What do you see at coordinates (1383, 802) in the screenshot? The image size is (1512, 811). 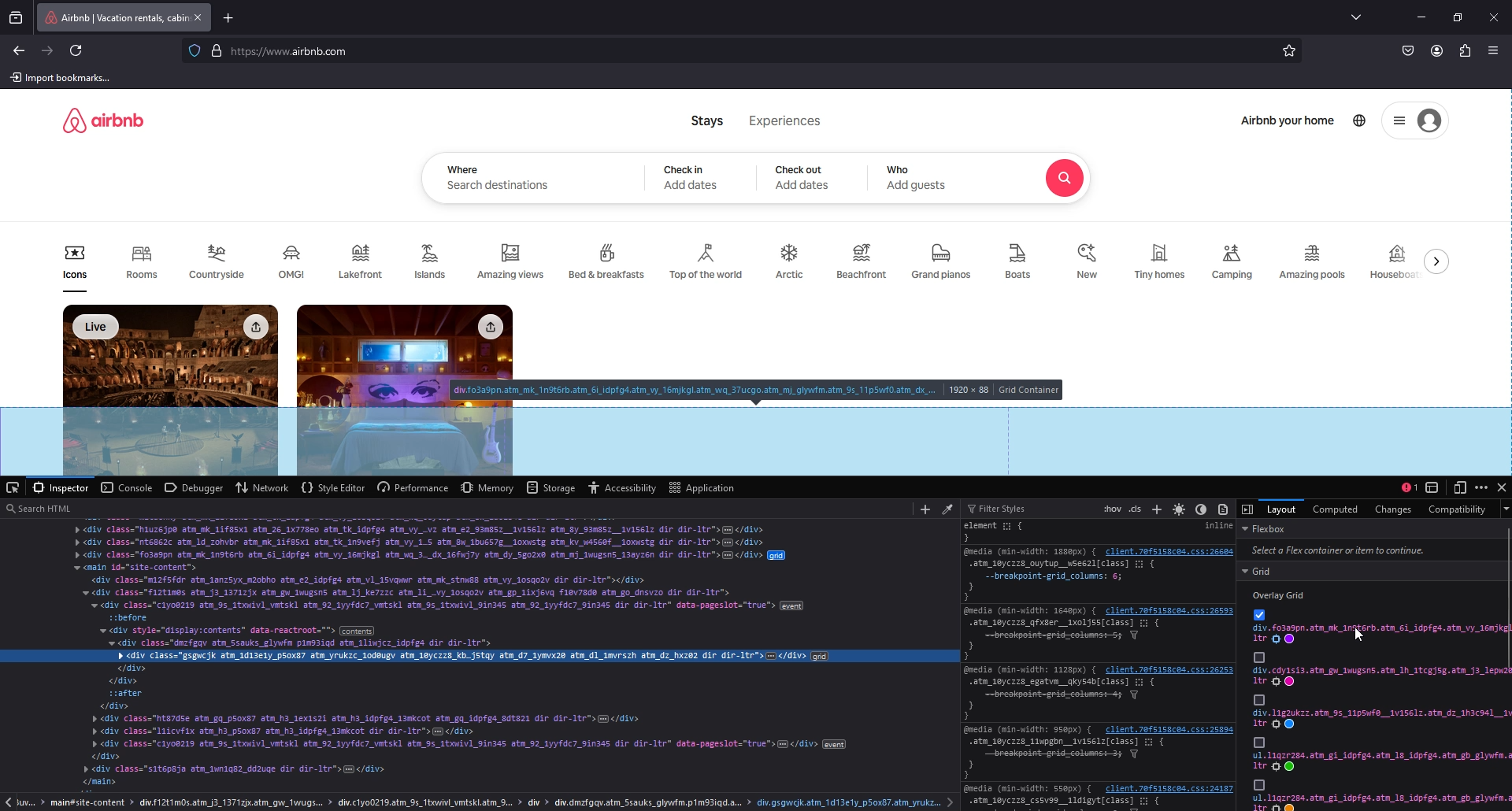 I see `grid css` at bounding box center [1383, 802].